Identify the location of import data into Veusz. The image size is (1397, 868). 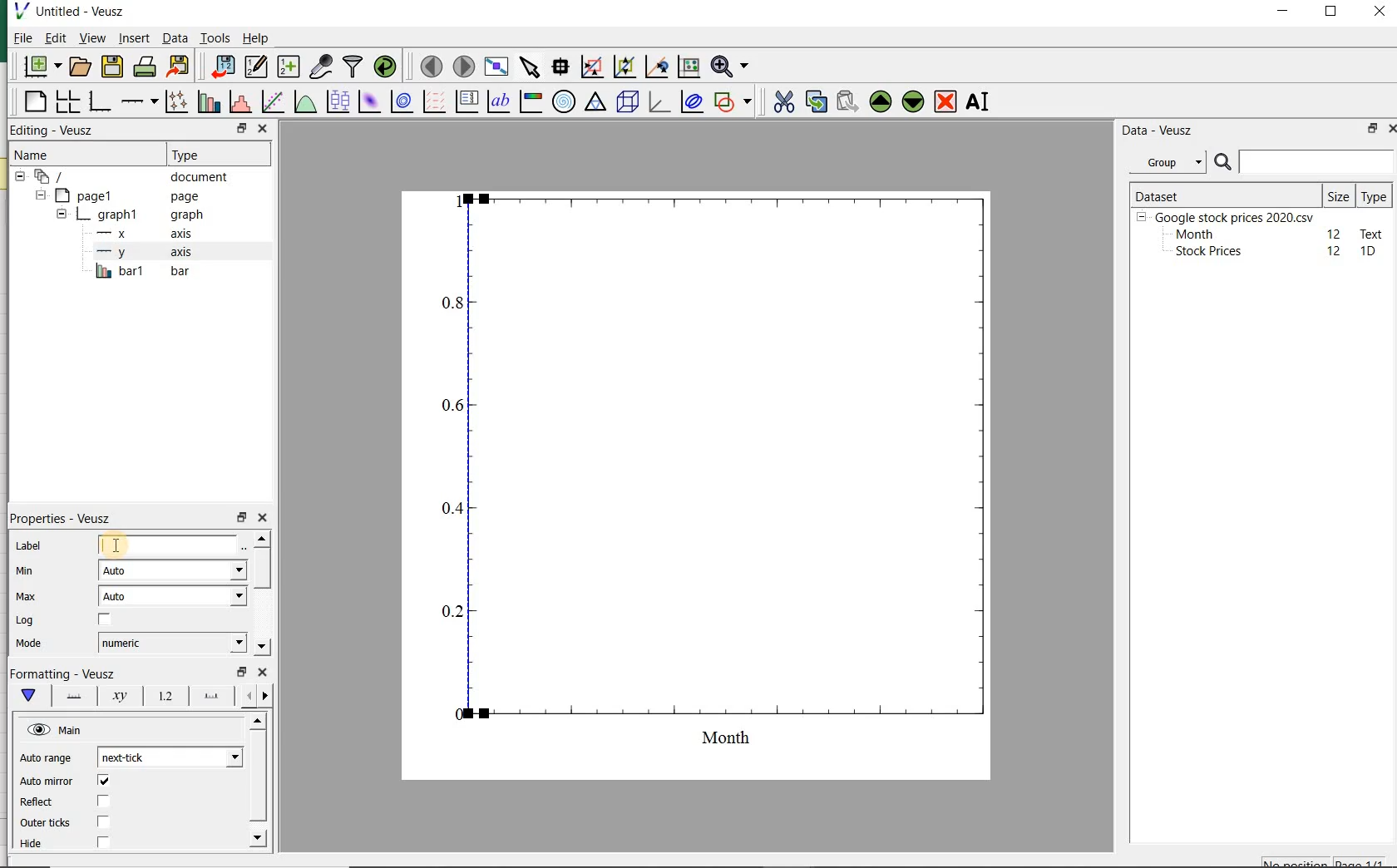
(220, 67).